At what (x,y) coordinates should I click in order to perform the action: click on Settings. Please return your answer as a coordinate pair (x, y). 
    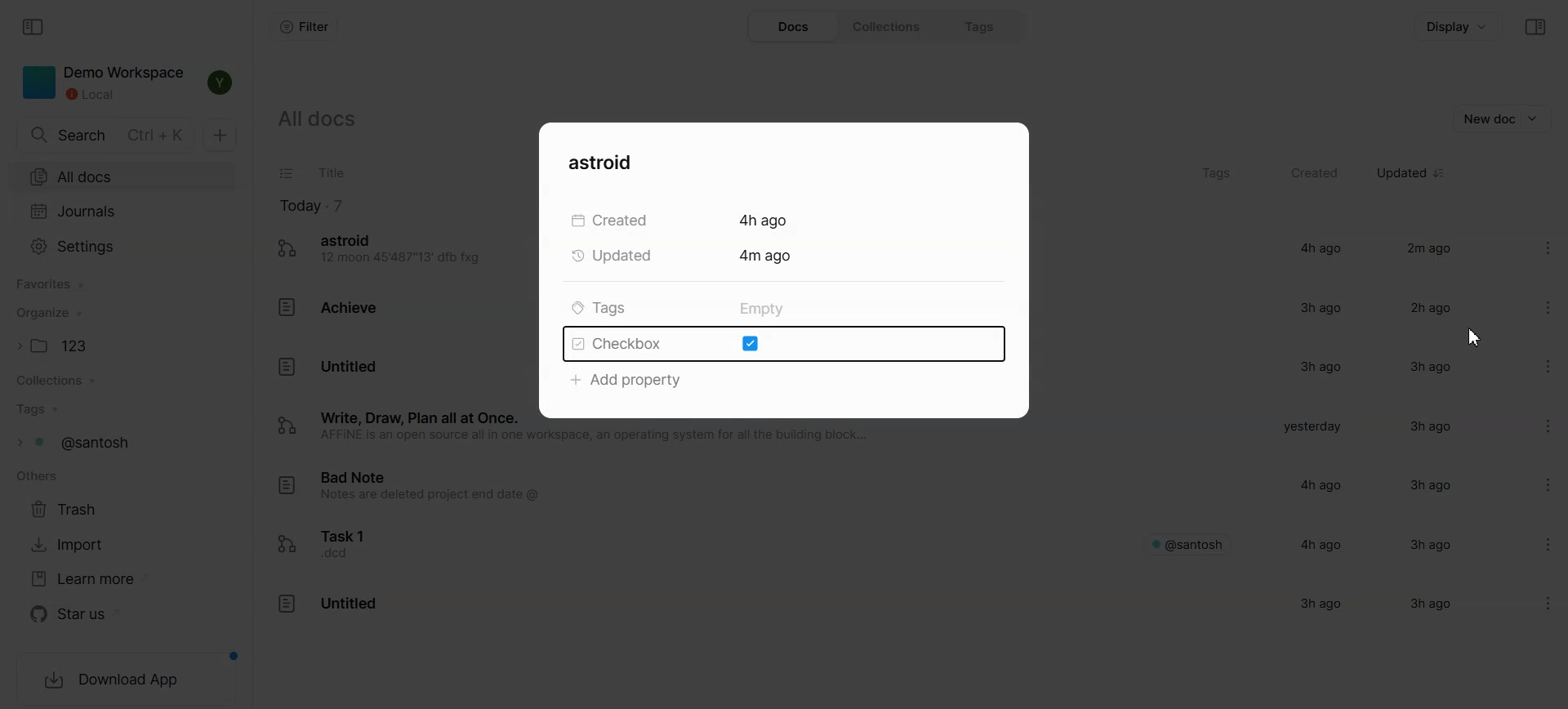
    Looking at the image, I should click on (1535, 597).